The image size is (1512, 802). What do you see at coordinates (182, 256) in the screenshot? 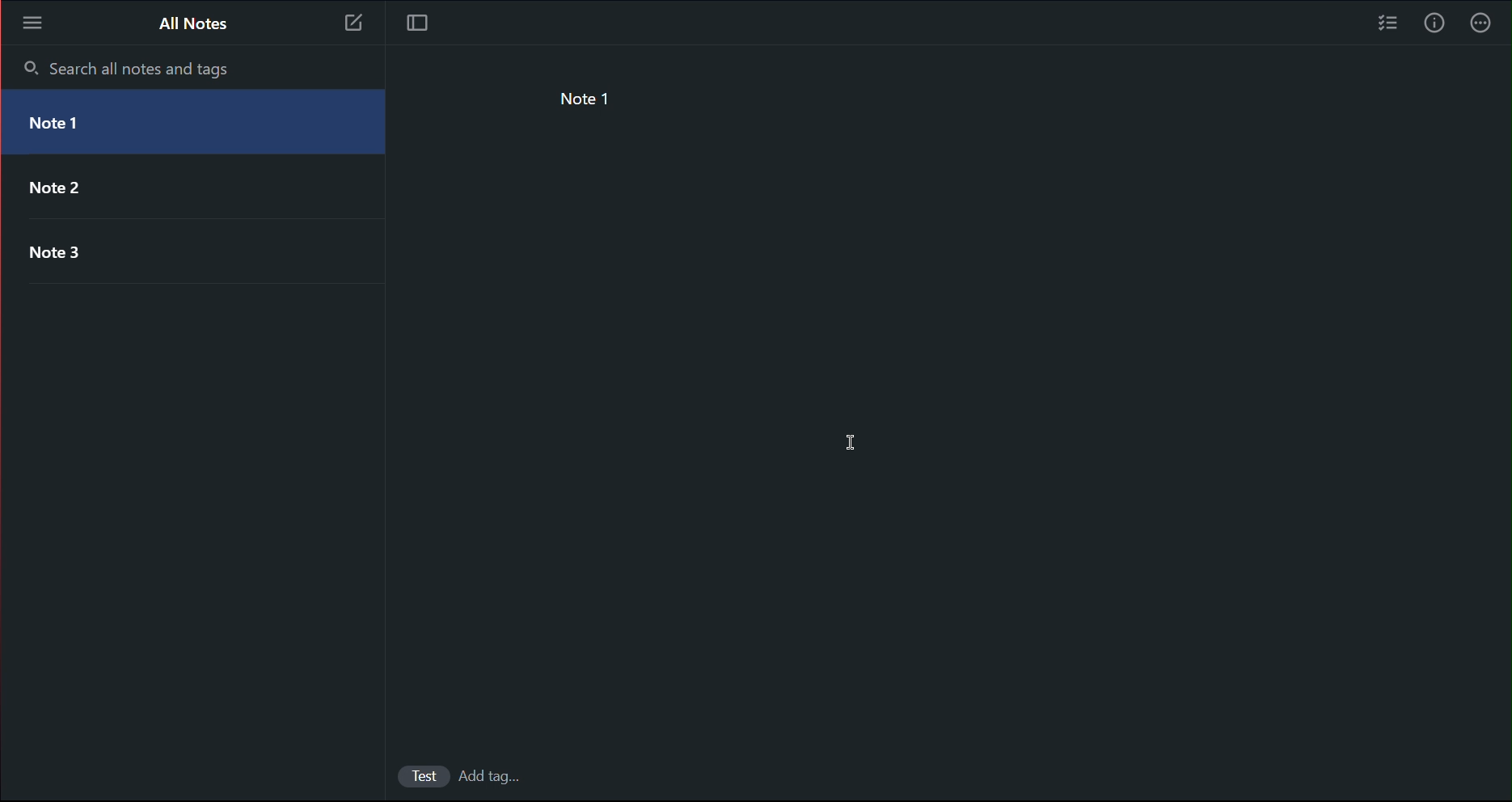
I see `Note 3` at bounding box center [182, 256].